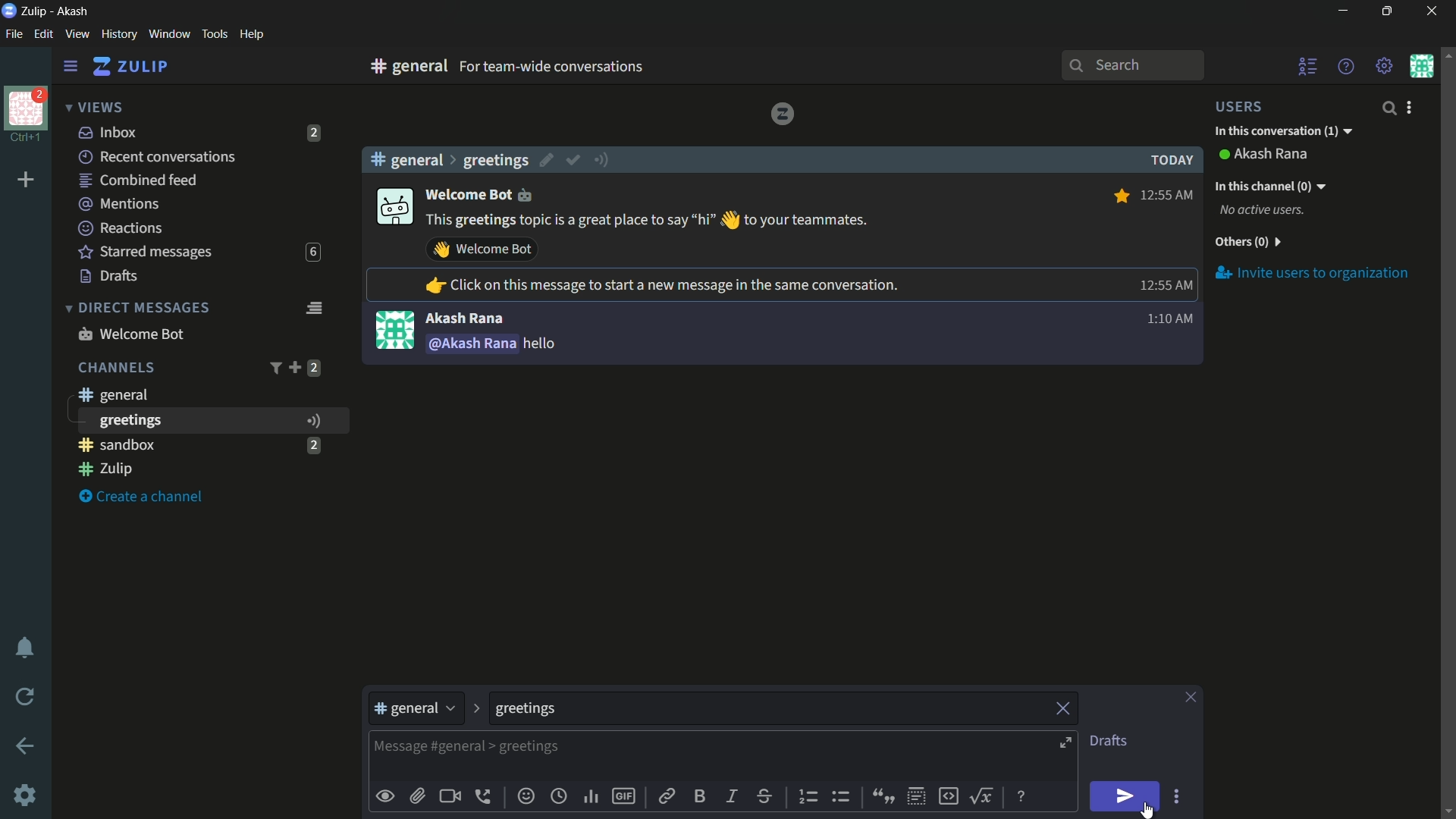 The image size is (1456, 819). What do you see at coordinates (26, 696) in the screenshot?
I see `reload` at bounding box center [26, 696].